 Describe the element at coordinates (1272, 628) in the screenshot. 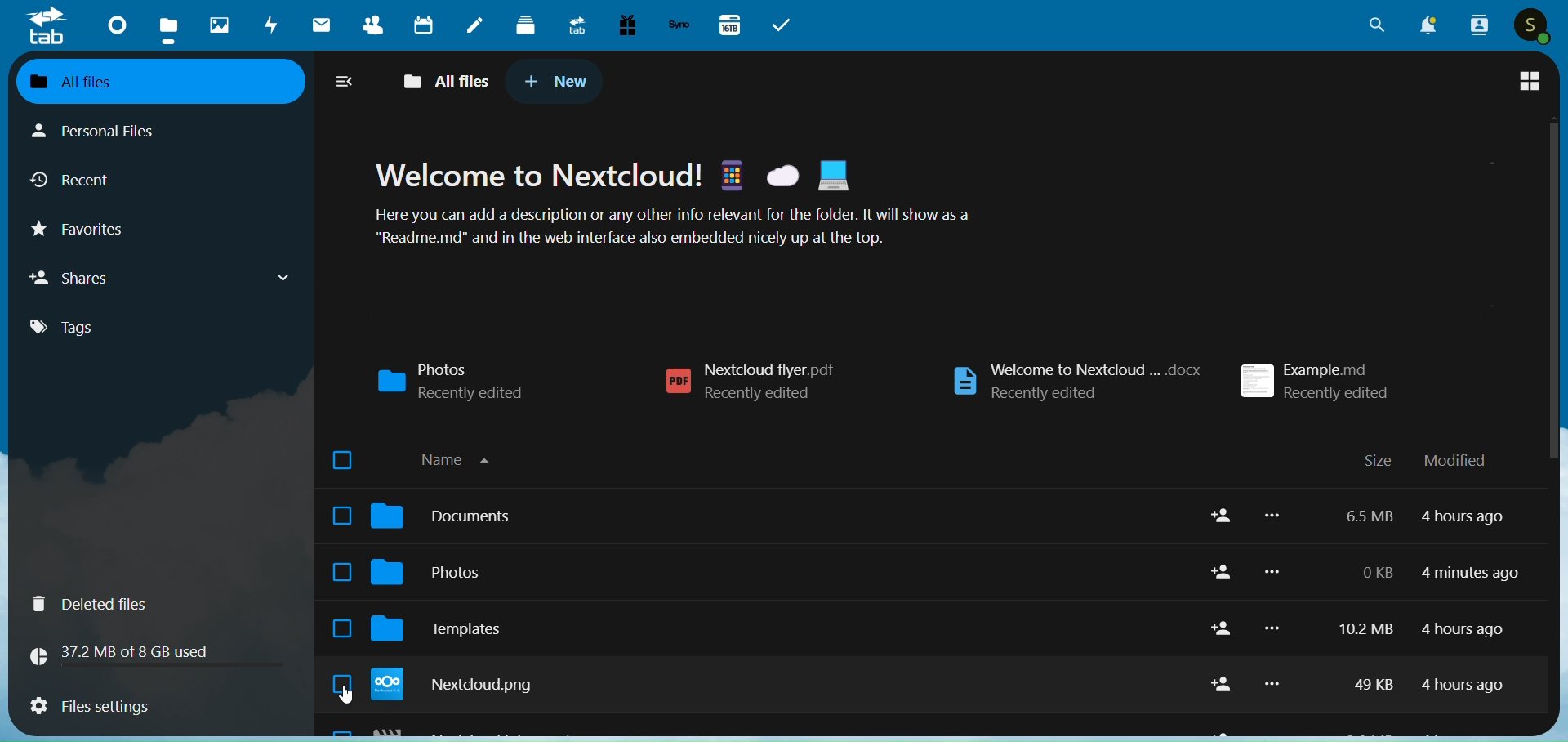

I see `More` at that location.